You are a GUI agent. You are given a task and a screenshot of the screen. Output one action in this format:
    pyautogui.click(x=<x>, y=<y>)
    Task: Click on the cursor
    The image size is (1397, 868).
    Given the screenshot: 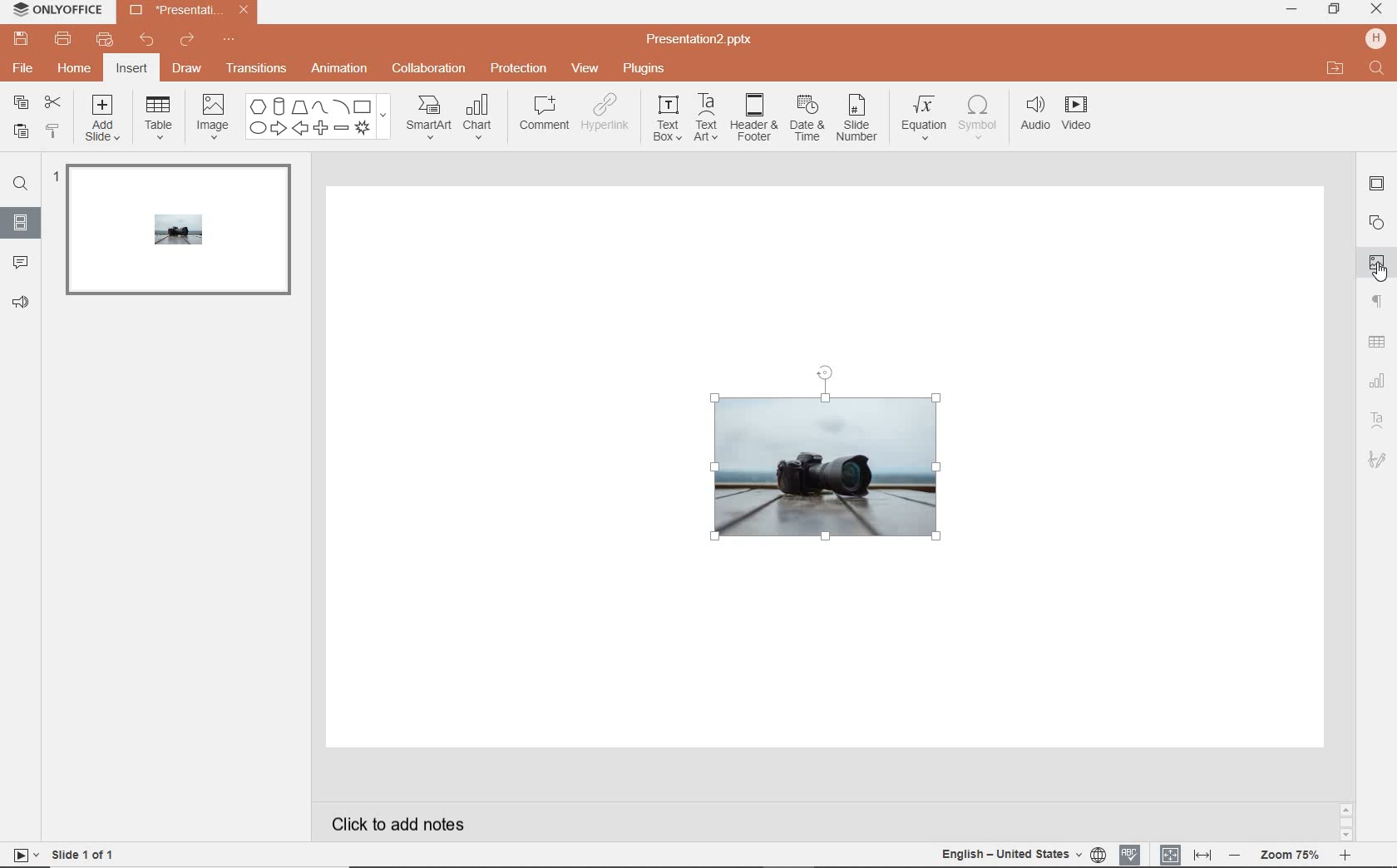 What is the action you would take?
    pyautogui.click(x=1379, y=272)
    